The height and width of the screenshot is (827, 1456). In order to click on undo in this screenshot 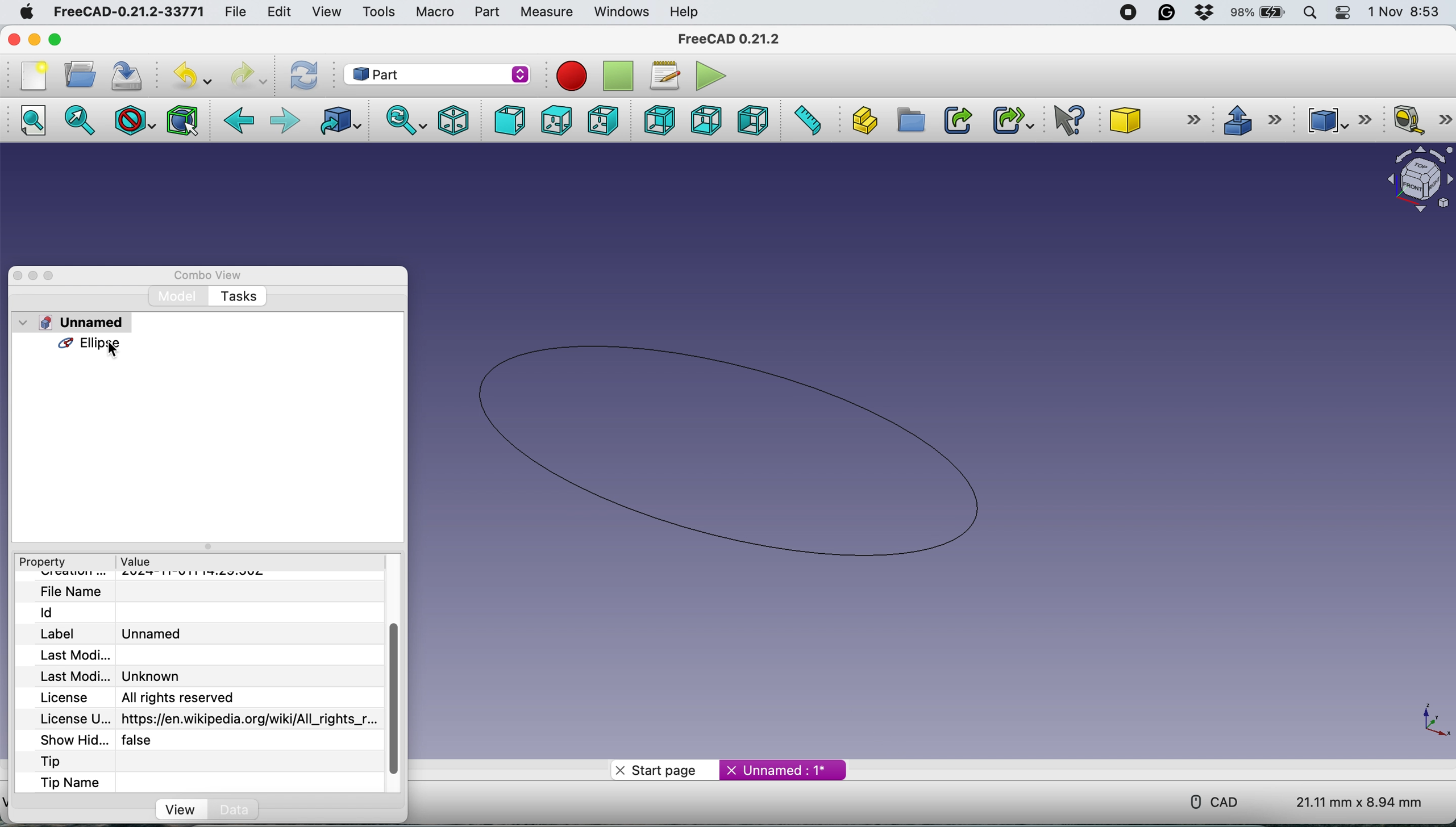, I will do `click(192, 73)`.